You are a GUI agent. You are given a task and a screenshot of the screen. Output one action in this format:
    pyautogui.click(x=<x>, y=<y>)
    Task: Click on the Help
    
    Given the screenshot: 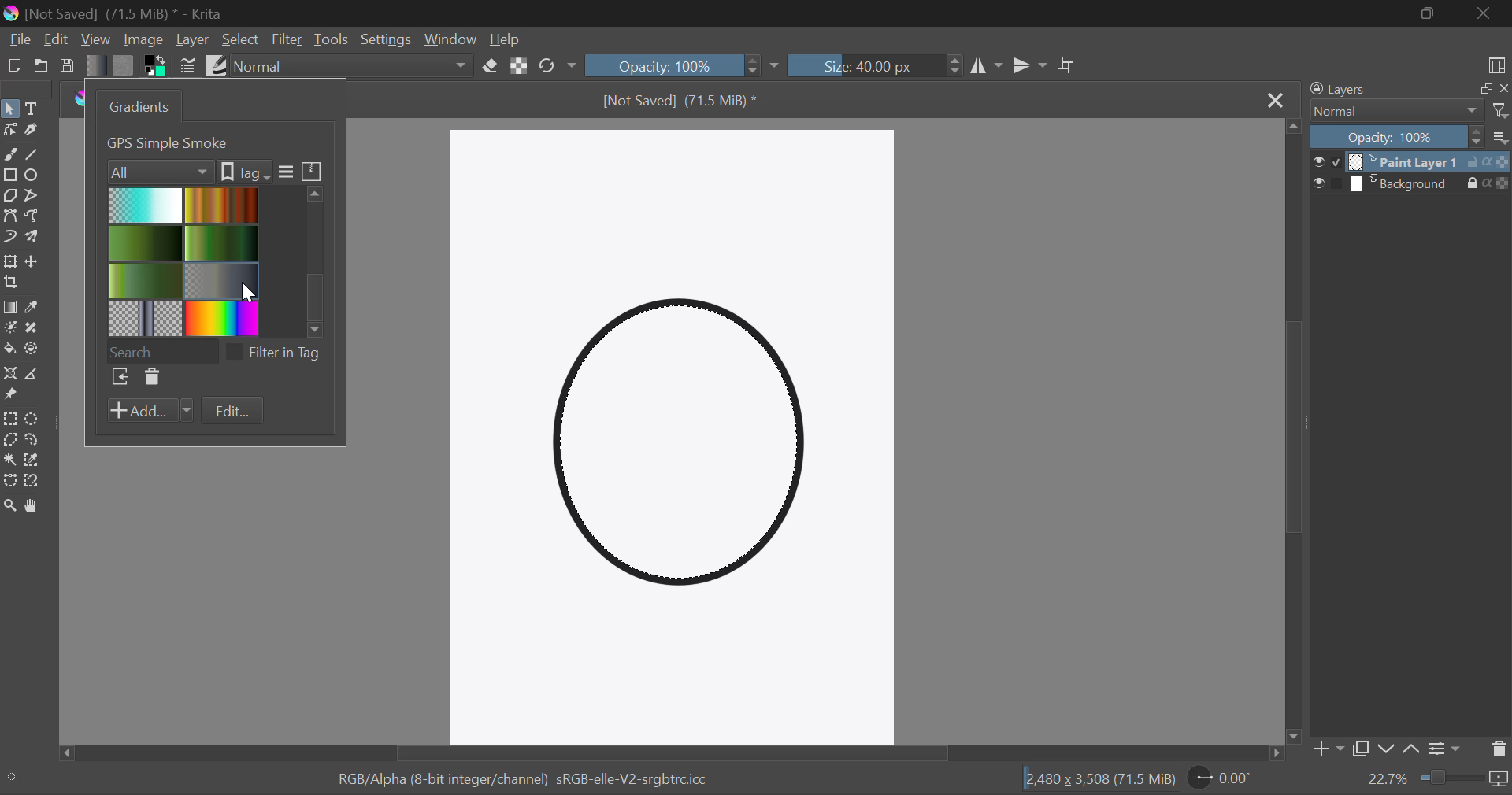 What is the action you would take?
    pyautogui.click(x=509, y=39)
    